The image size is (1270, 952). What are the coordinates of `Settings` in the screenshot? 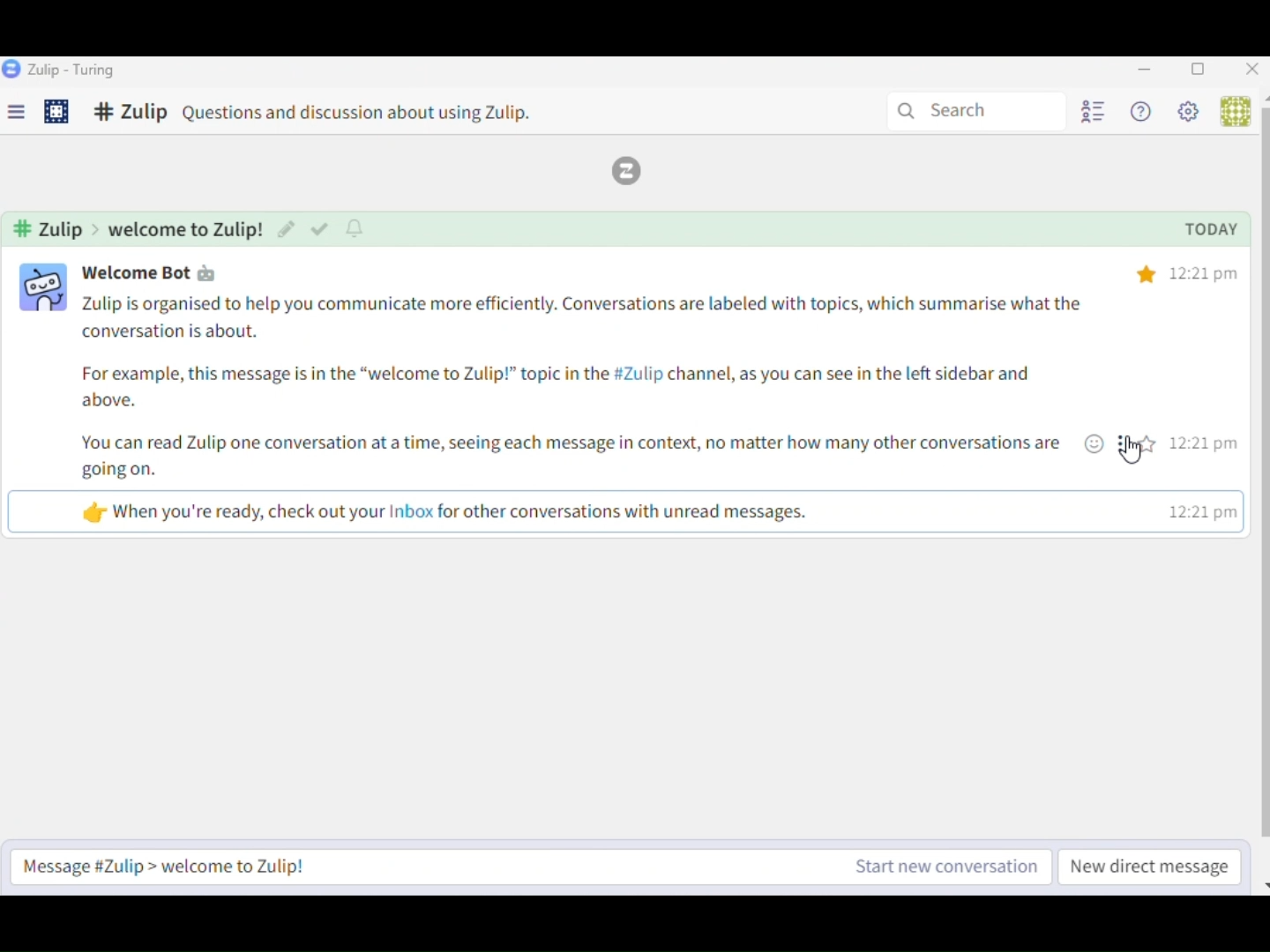 It's located at (1192, 115).